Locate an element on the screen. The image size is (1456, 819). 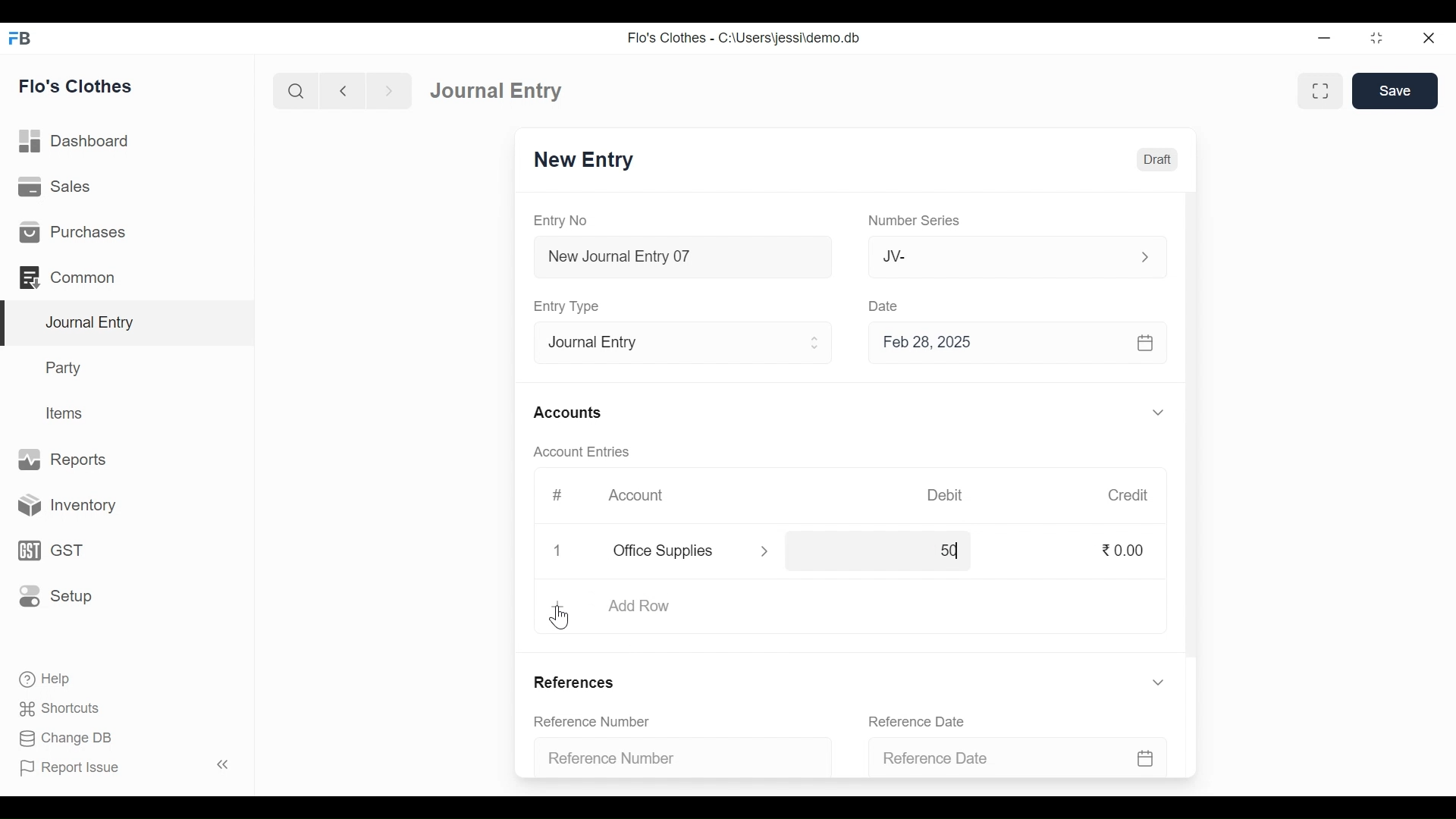
Change DB is located at coordinates (64, 736).